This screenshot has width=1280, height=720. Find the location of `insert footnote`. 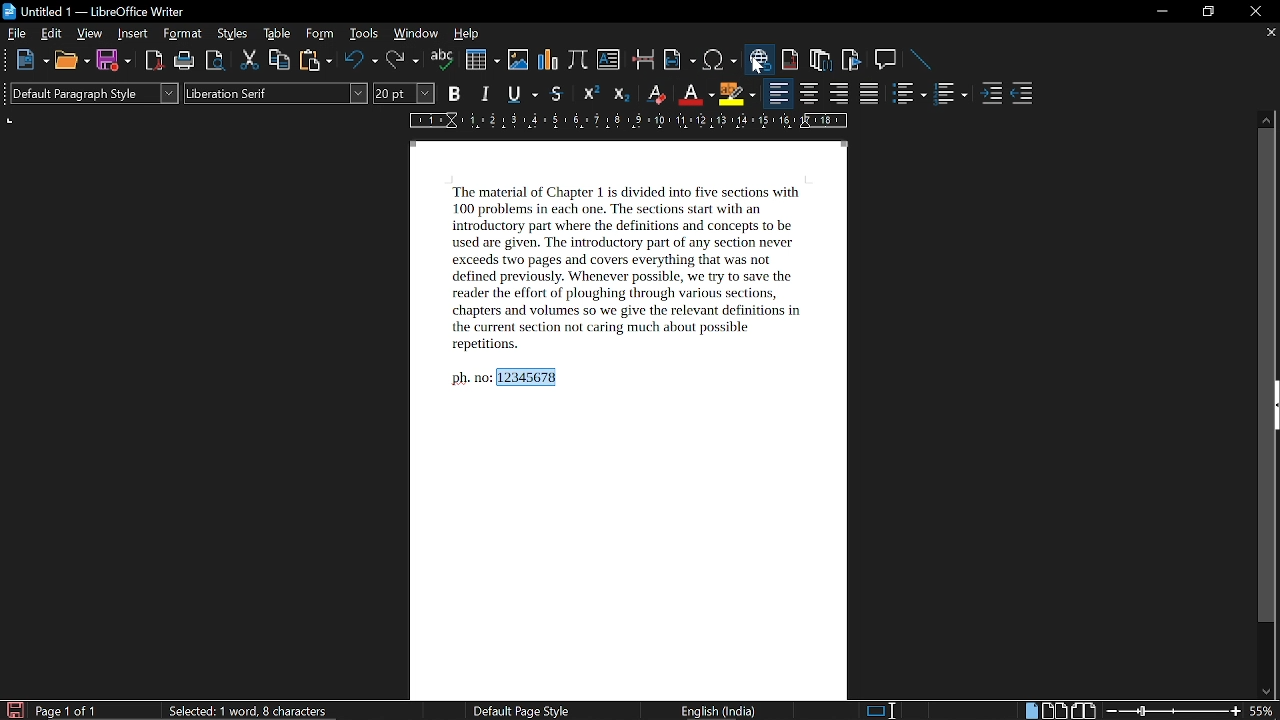

insert footnote is located at coordinates (790, 60).